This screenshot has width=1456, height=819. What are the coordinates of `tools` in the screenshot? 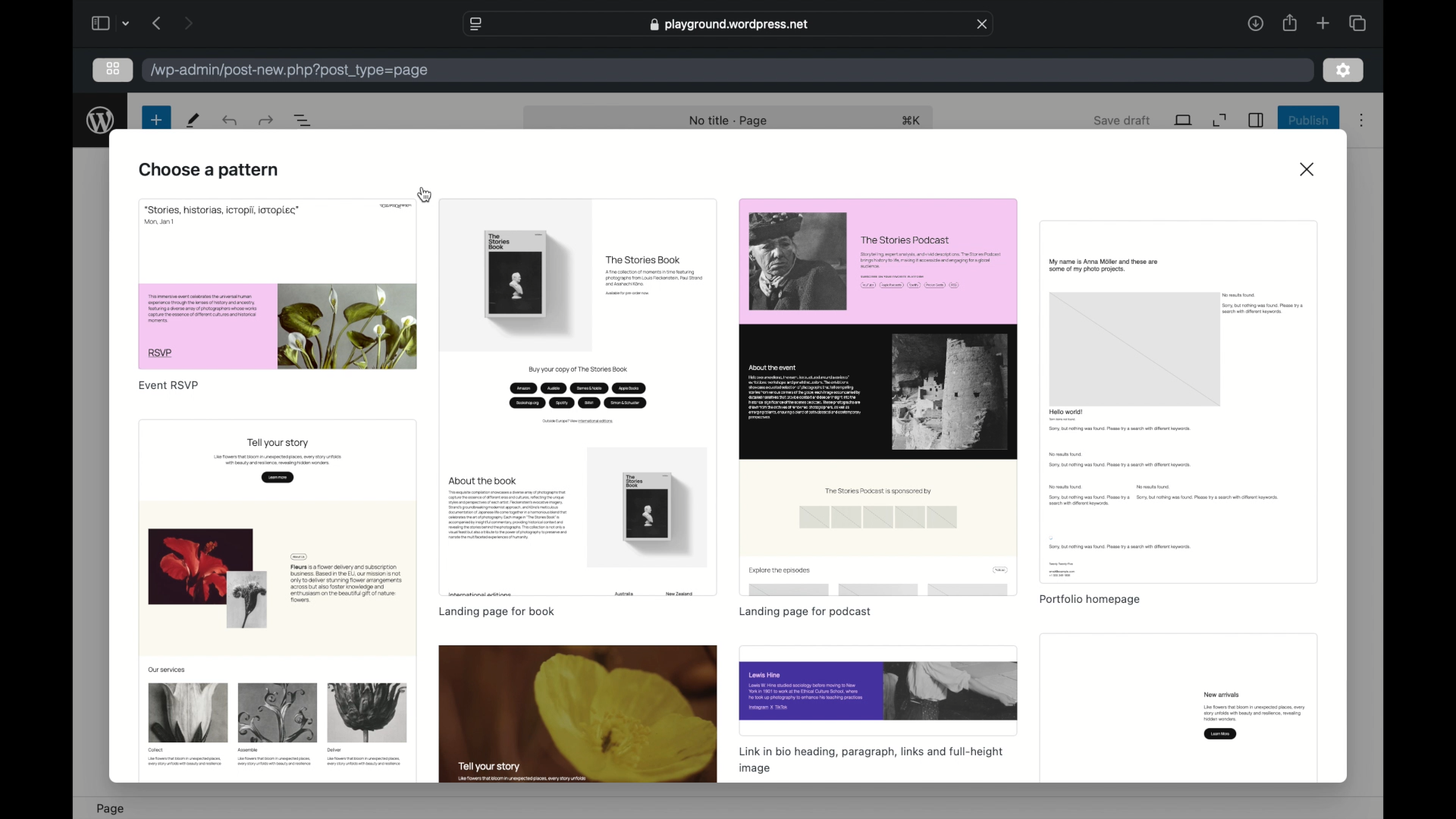 It's located at (194, 121).